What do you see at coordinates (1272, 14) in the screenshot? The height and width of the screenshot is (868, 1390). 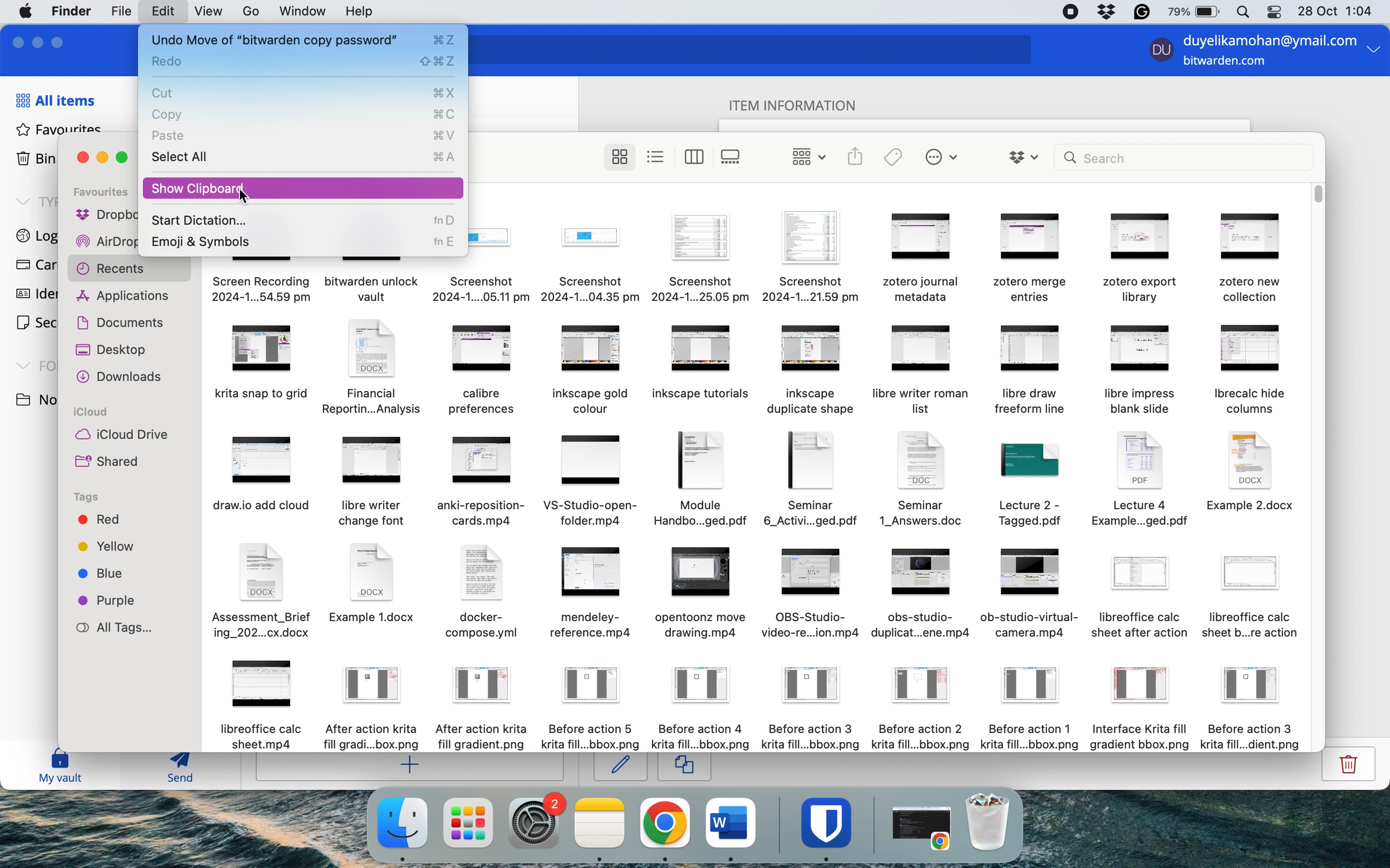 I see `control center` at bounding box center [1272, 14].